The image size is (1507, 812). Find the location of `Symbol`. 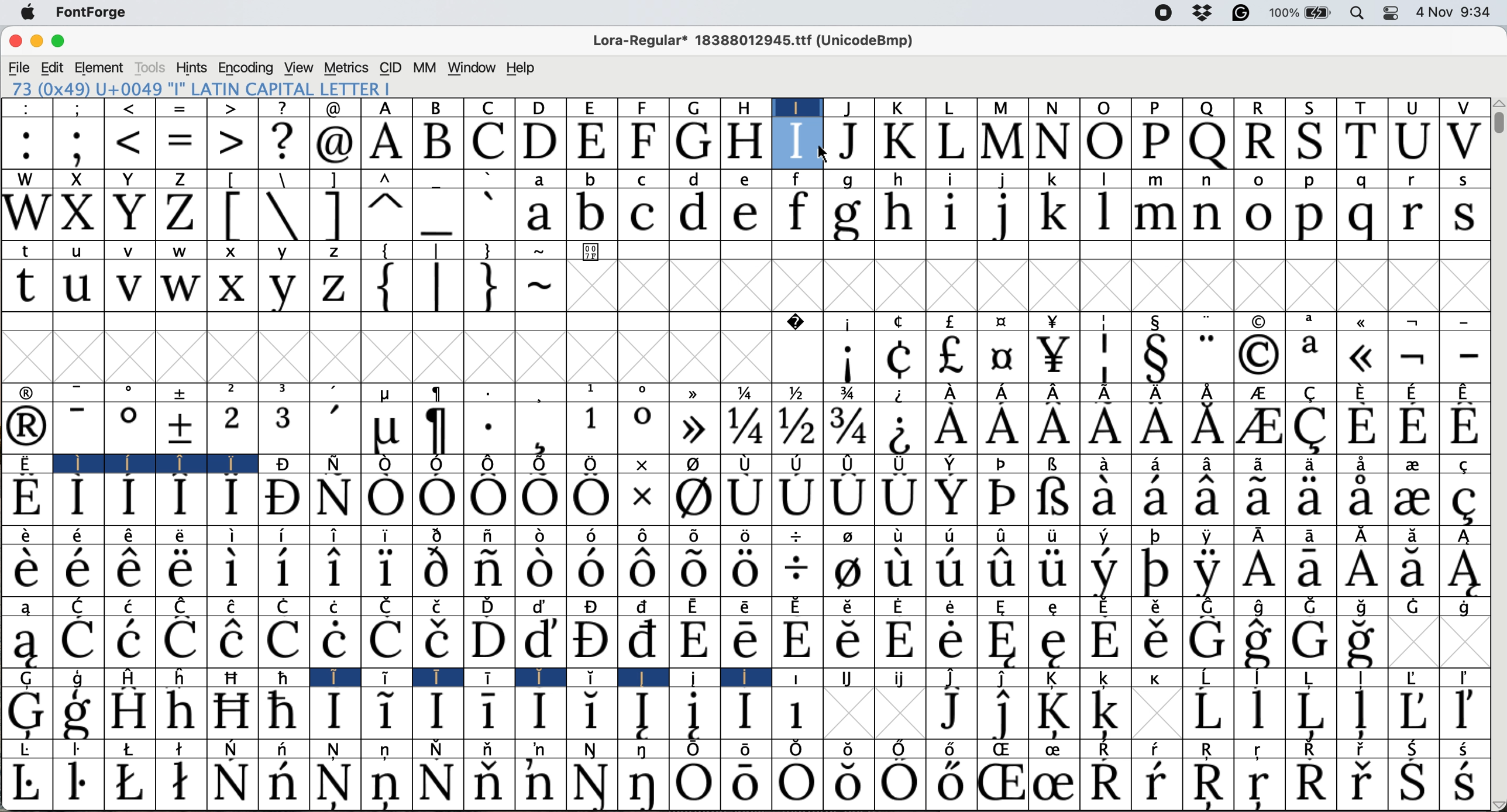

Symbol is located at coordinates (389, 678).